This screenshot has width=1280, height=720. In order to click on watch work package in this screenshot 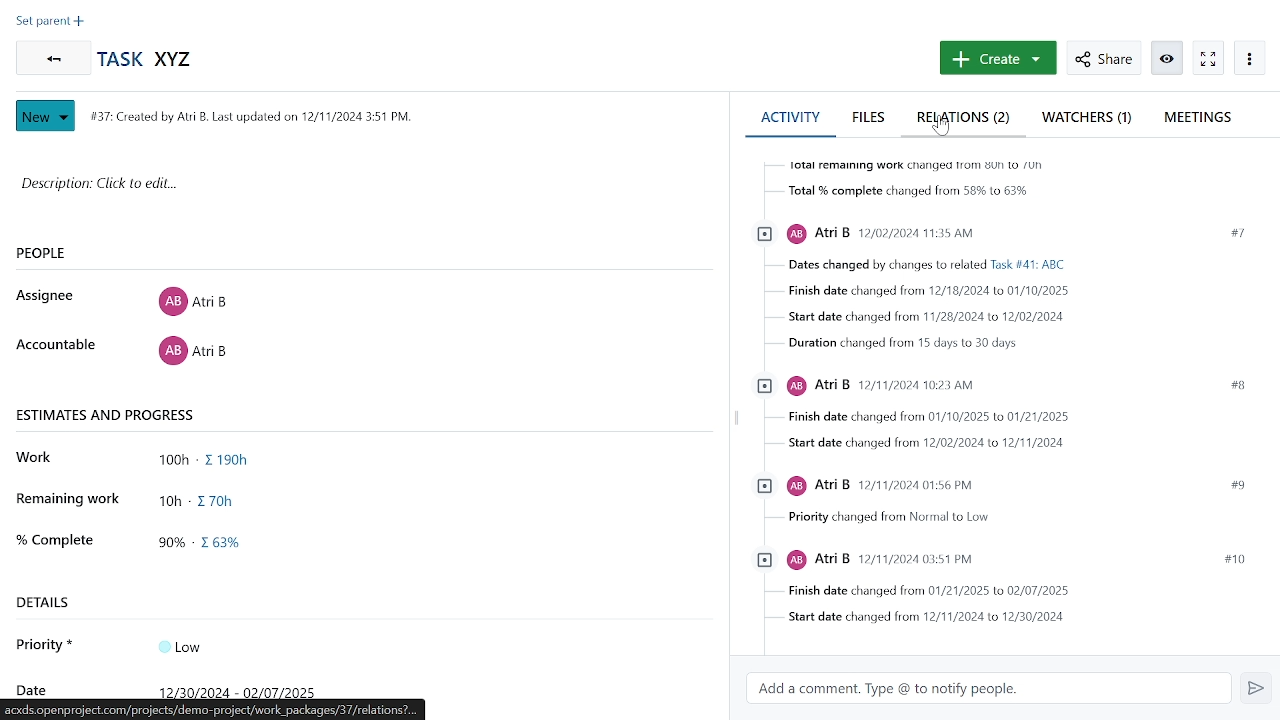, I will do `click(1207, 58)`.